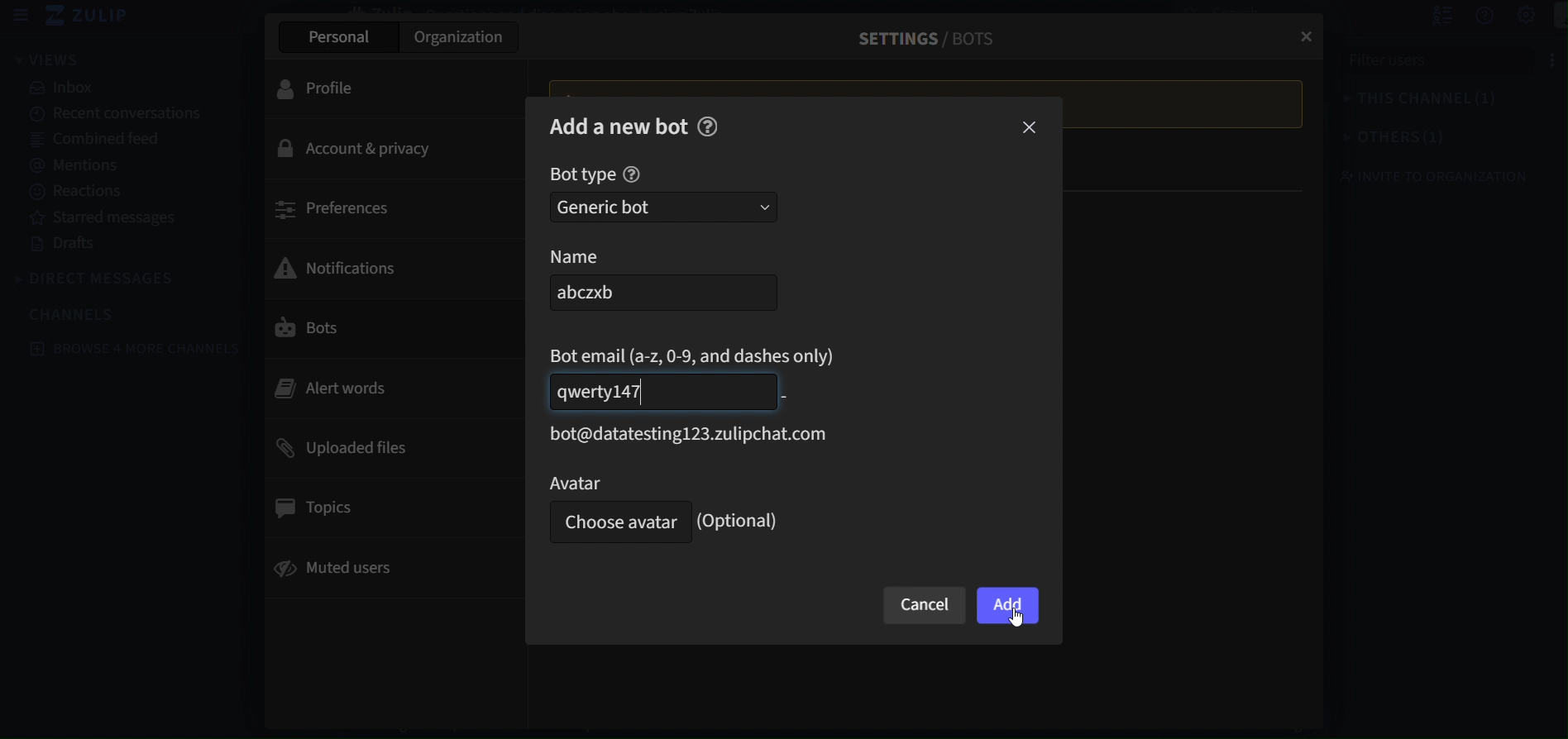 Image resolution: width=1568 pixels, height=739 pixels. Describe the element at coordinates (1031, 129) in the screenshot. I see `close` at that location.